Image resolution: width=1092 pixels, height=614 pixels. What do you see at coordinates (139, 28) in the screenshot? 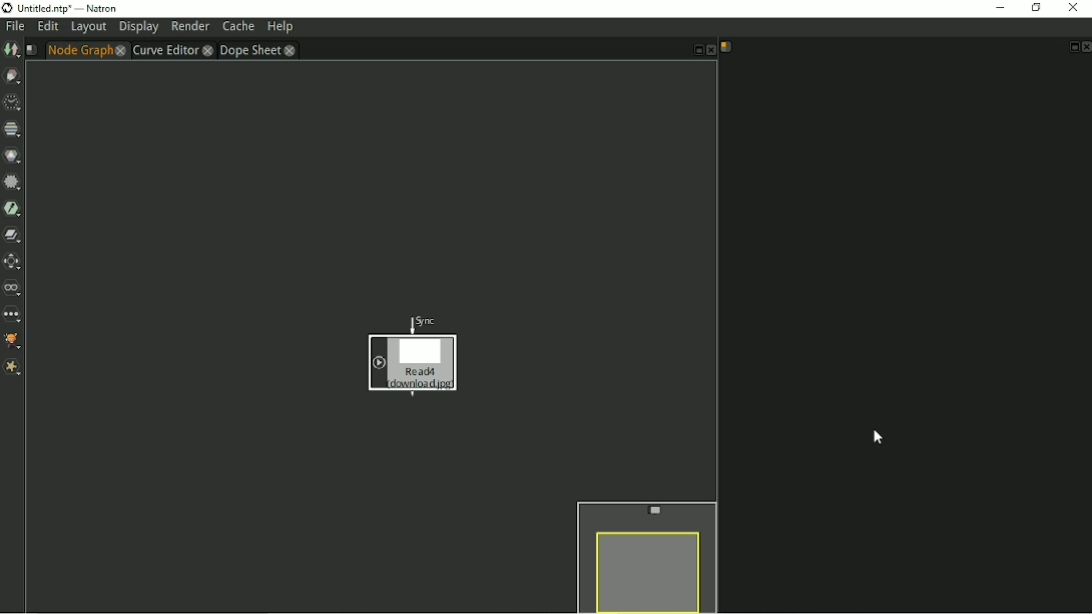
I see `Display` at bounding box center [139, 28].